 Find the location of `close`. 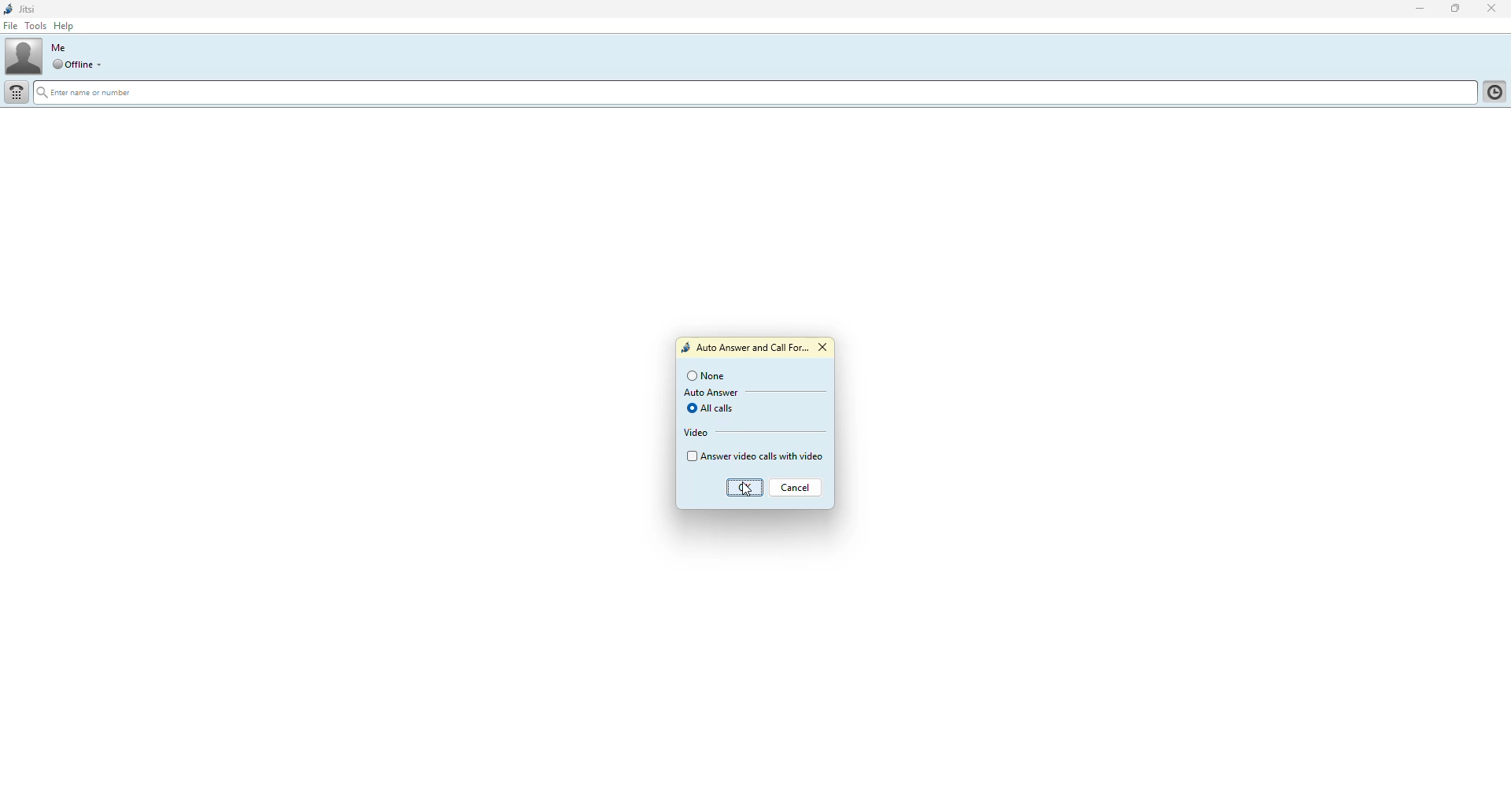

close is located at coordinates (1494, 8).